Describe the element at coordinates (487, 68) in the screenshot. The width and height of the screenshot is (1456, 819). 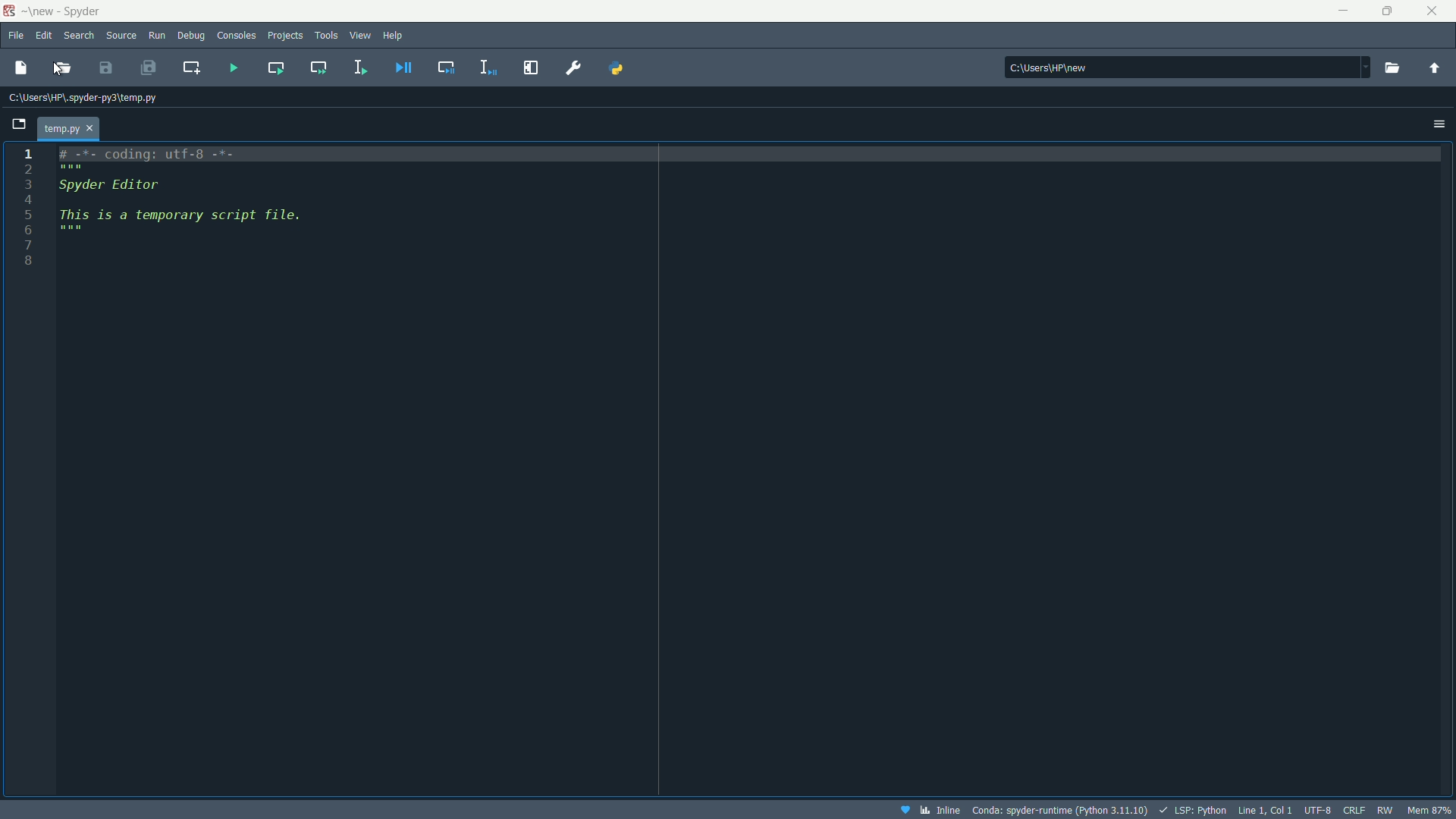
I see `Debug selection or current line` at that location.